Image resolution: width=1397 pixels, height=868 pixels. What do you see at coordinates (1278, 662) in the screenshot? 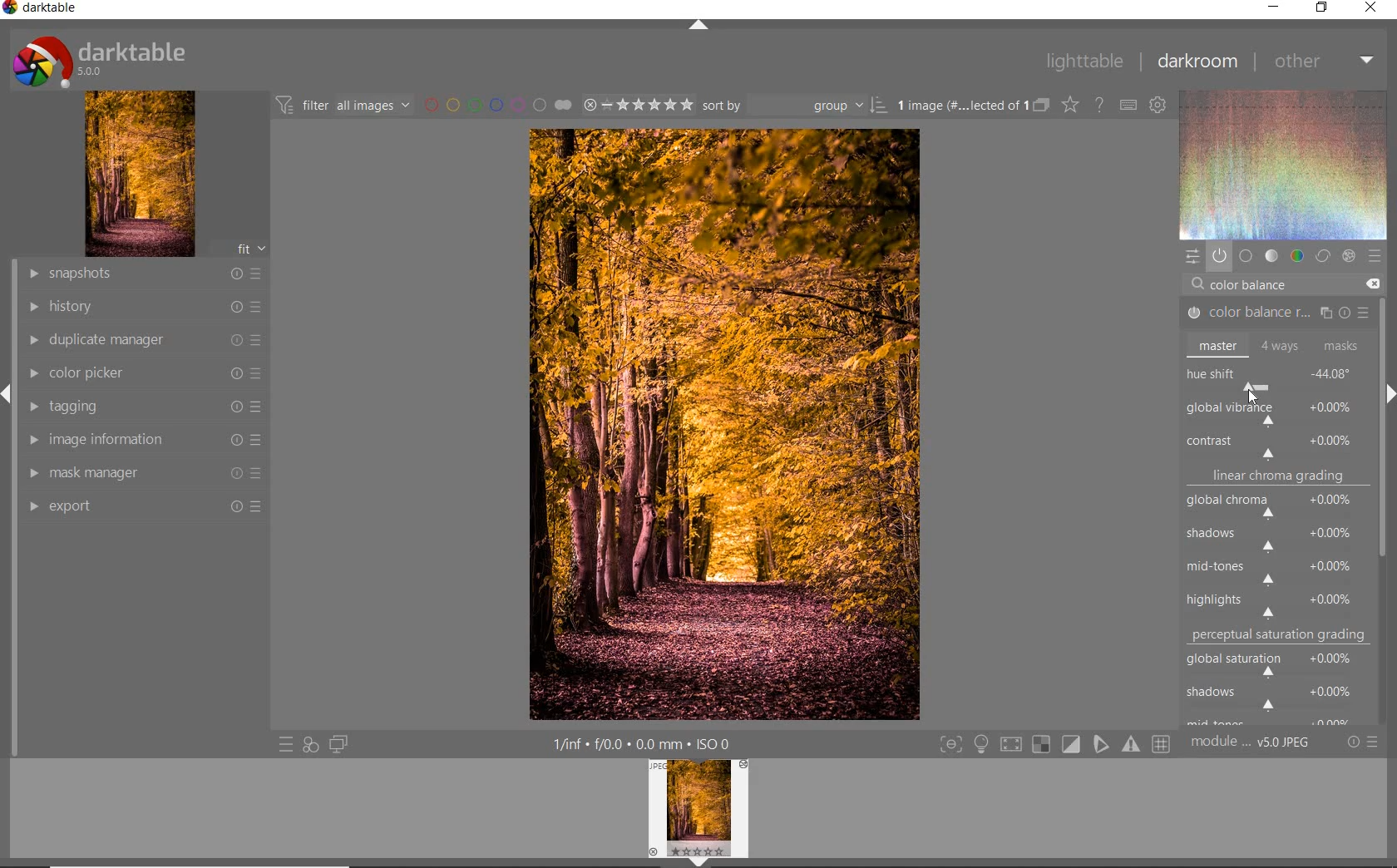
I see `global saturation` at bounding box center [1278, 662].